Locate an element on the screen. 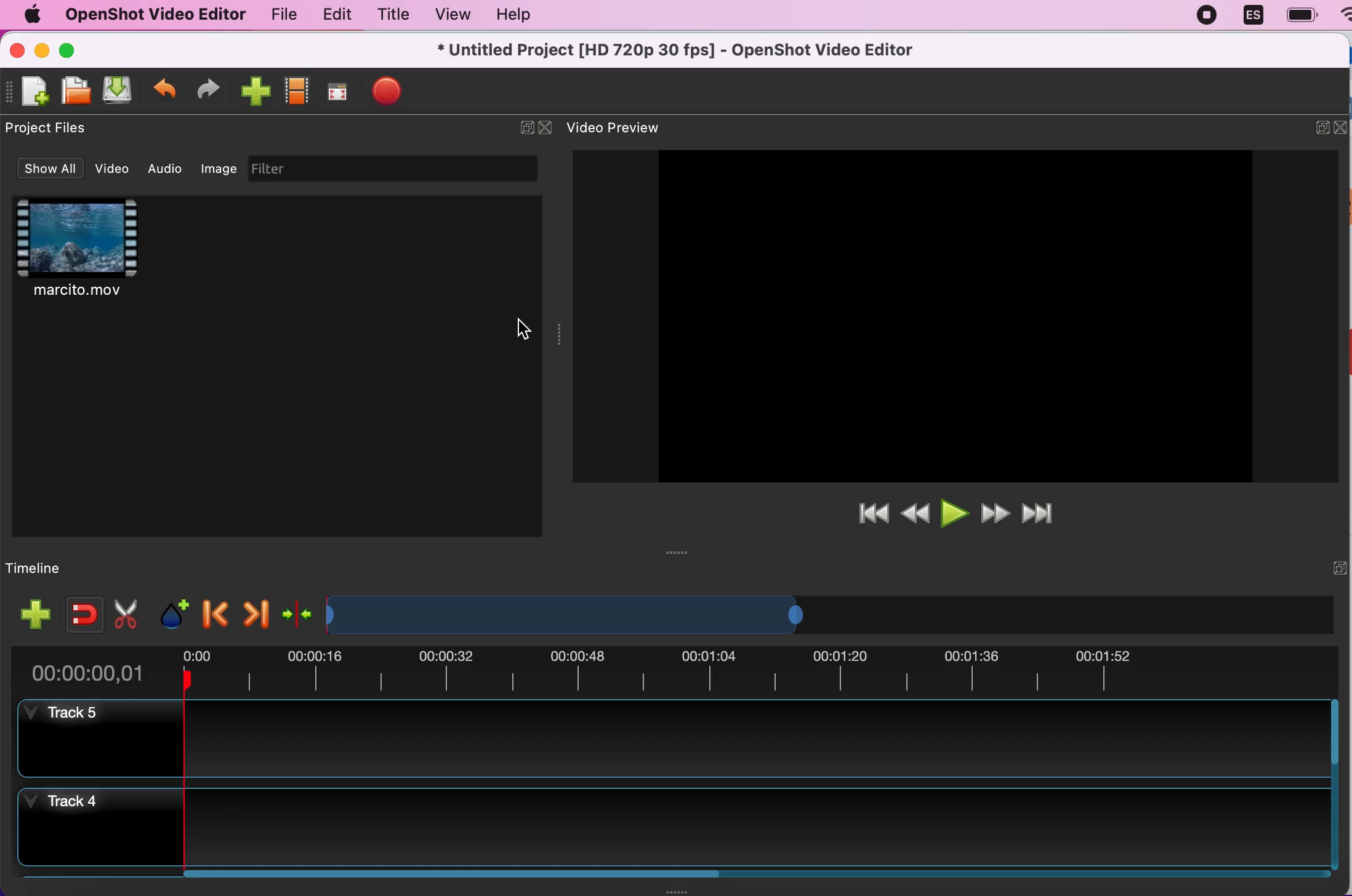 This screenshot has width=1352, height=896. new file is located at coordinates (32, 92).